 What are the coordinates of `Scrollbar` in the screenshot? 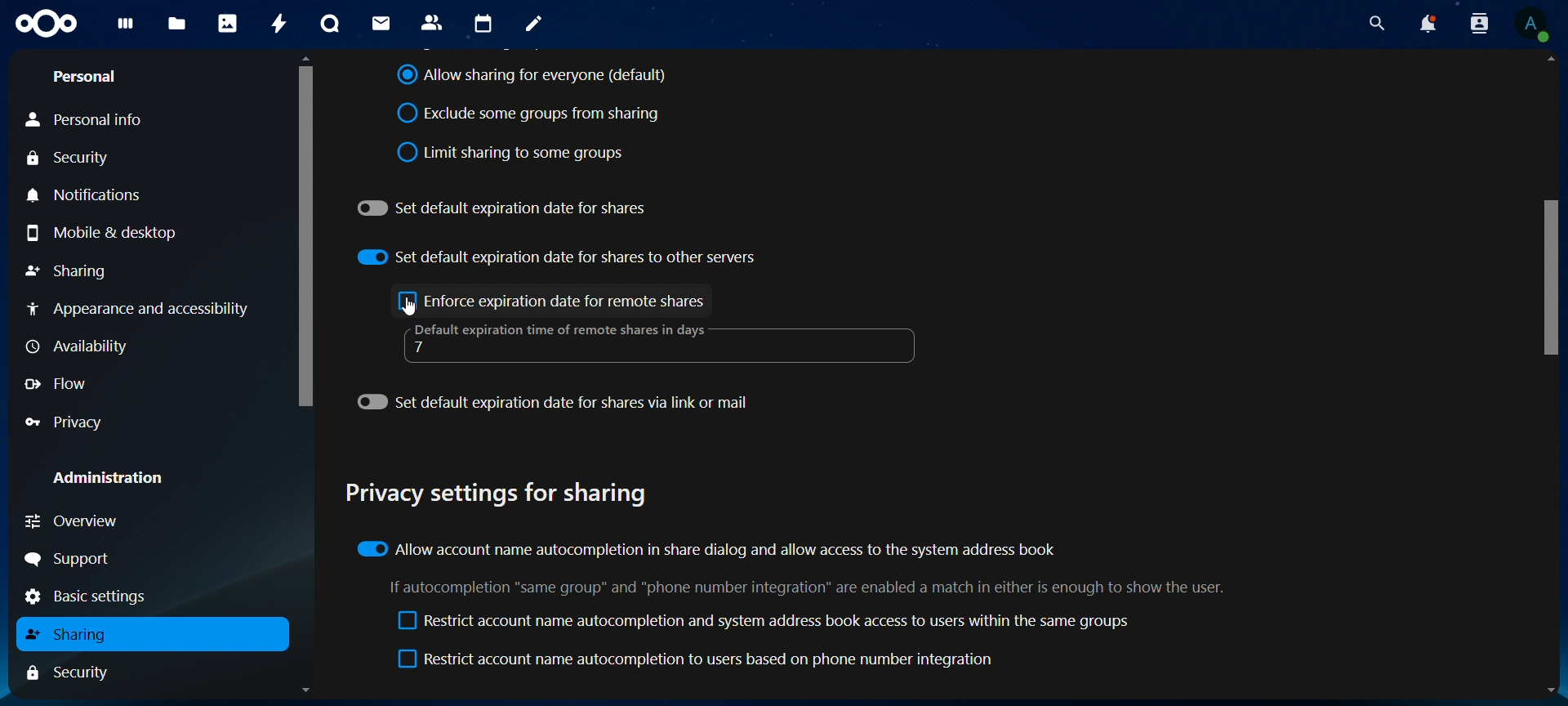 It's located at (1551, 377).